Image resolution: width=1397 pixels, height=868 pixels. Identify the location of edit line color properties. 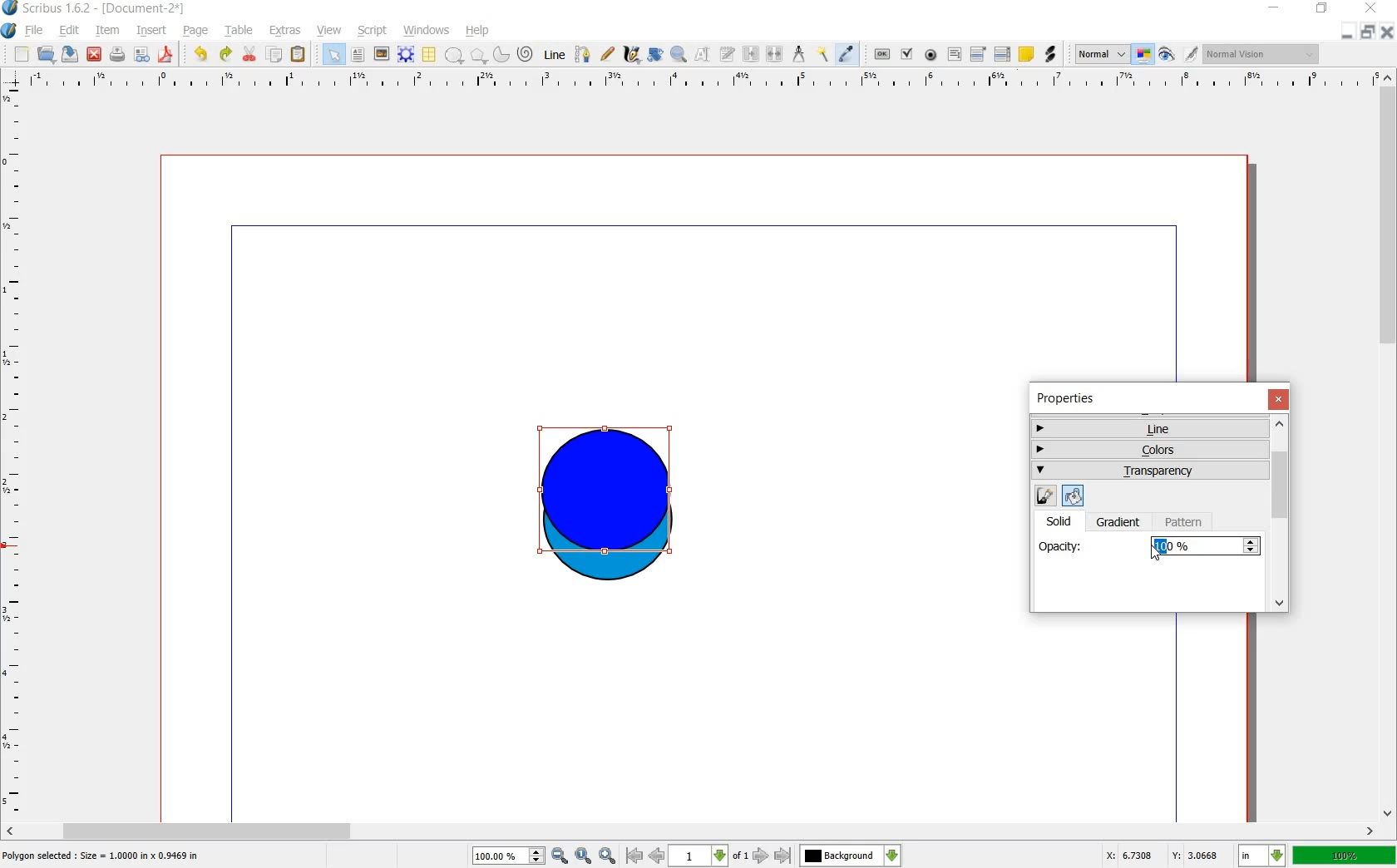
(1044, 496).